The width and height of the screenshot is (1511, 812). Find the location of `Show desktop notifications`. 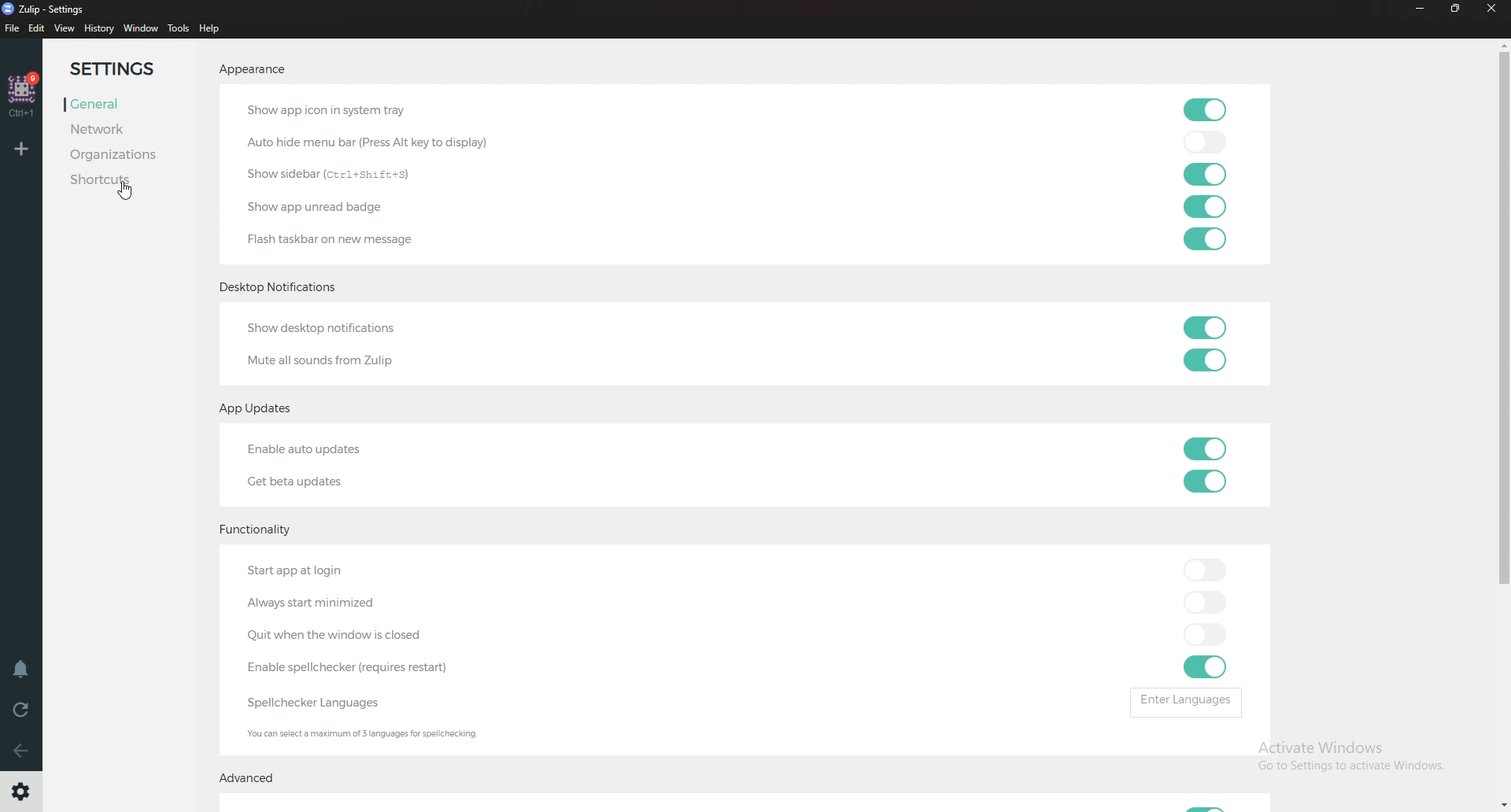

Show desktop notifications is located at coordinates (347, 326).